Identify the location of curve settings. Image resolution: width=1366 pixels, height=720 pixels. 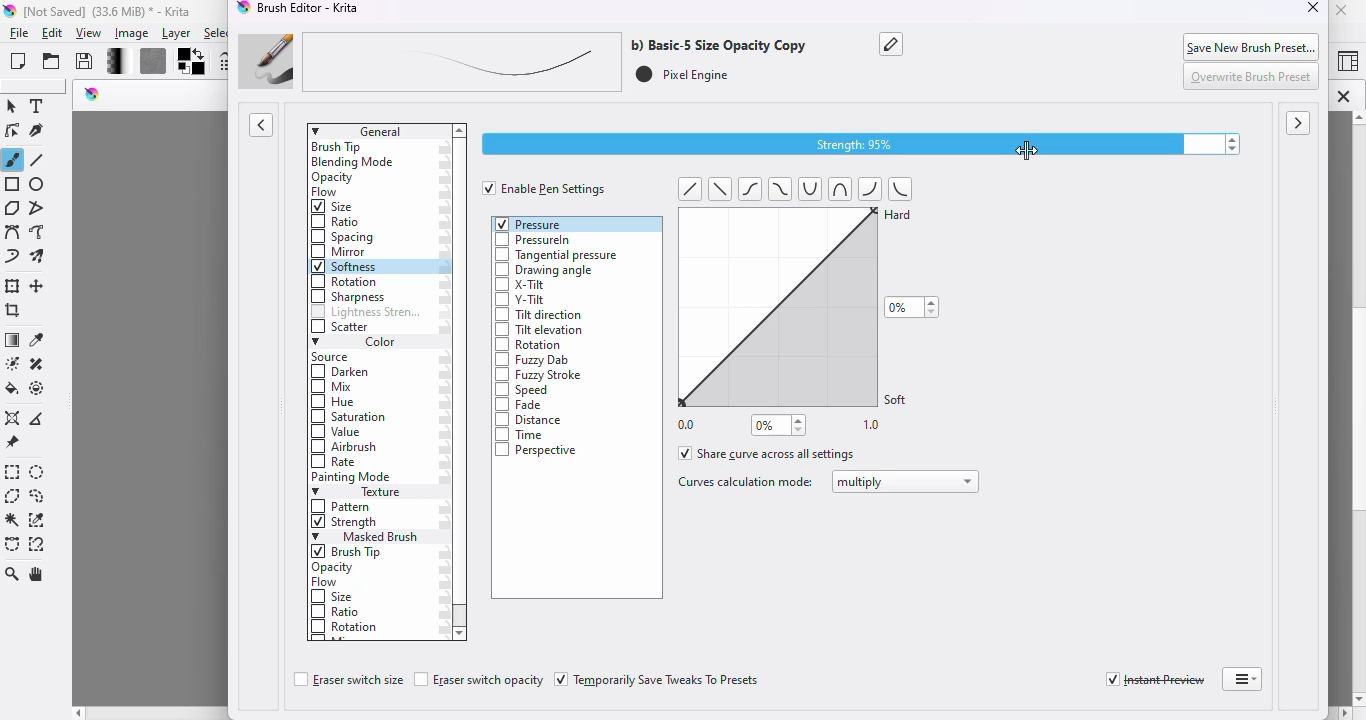
(770, 305).